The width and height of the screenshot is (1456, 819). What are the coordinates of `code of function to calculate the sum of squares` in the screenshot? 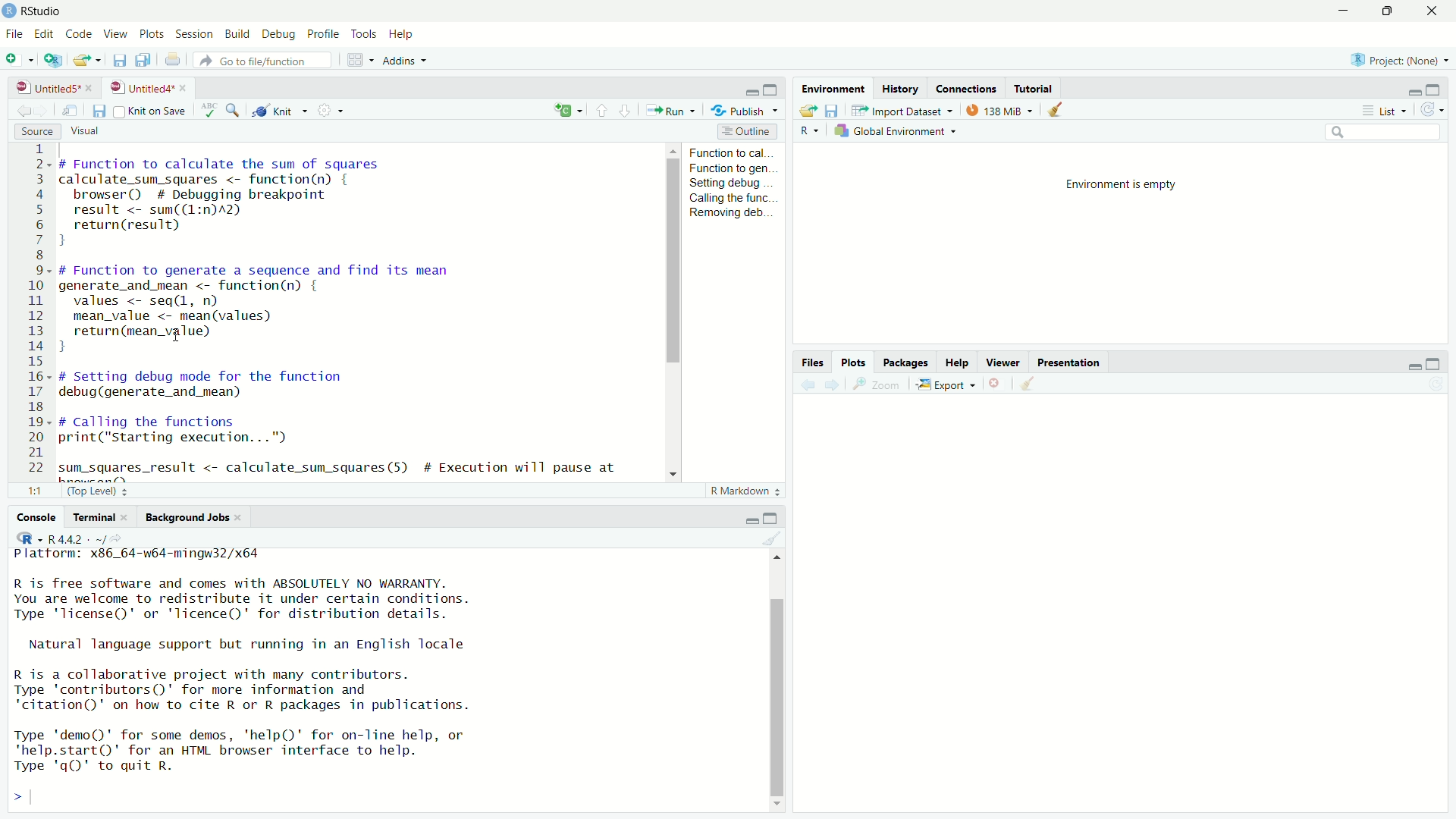 It's located at (279, 202).